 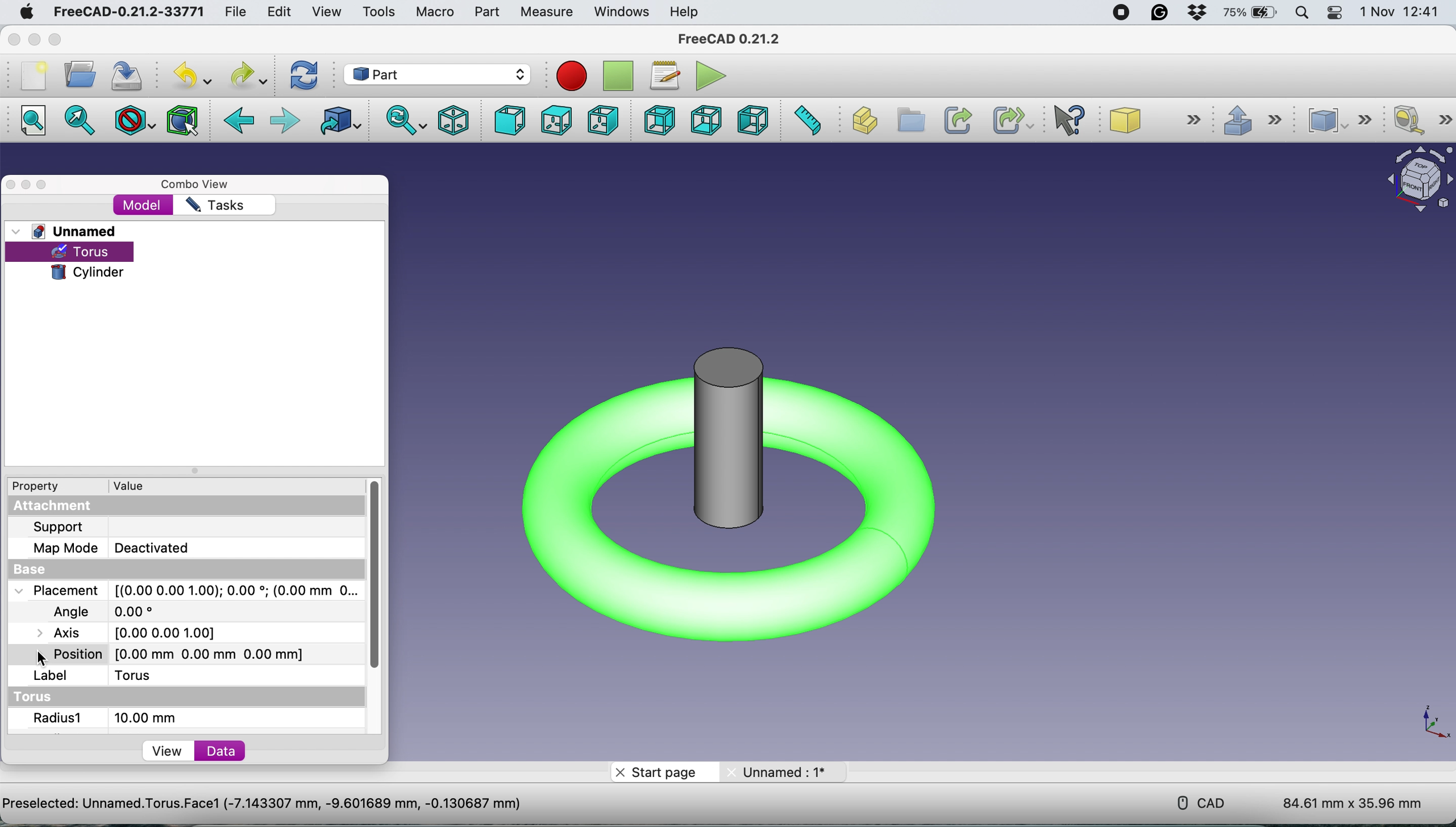 I want to click on go to selected object, so click(x=80, y=123).